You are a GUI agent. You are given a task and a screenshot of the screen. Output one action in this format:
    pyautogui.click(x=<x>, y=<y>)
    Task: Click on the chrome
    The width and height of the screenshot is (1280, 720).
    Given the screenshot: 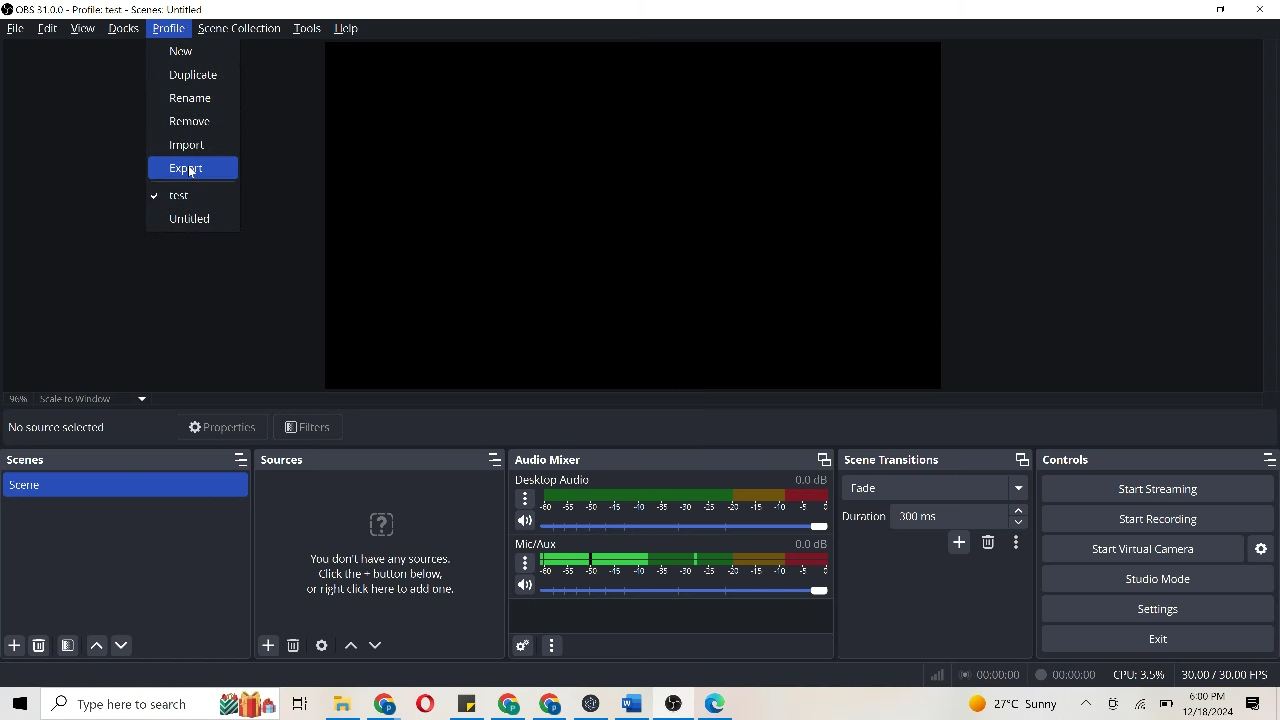 What is the action you would take?
    pyautogui.click(x=389, y=704)
    